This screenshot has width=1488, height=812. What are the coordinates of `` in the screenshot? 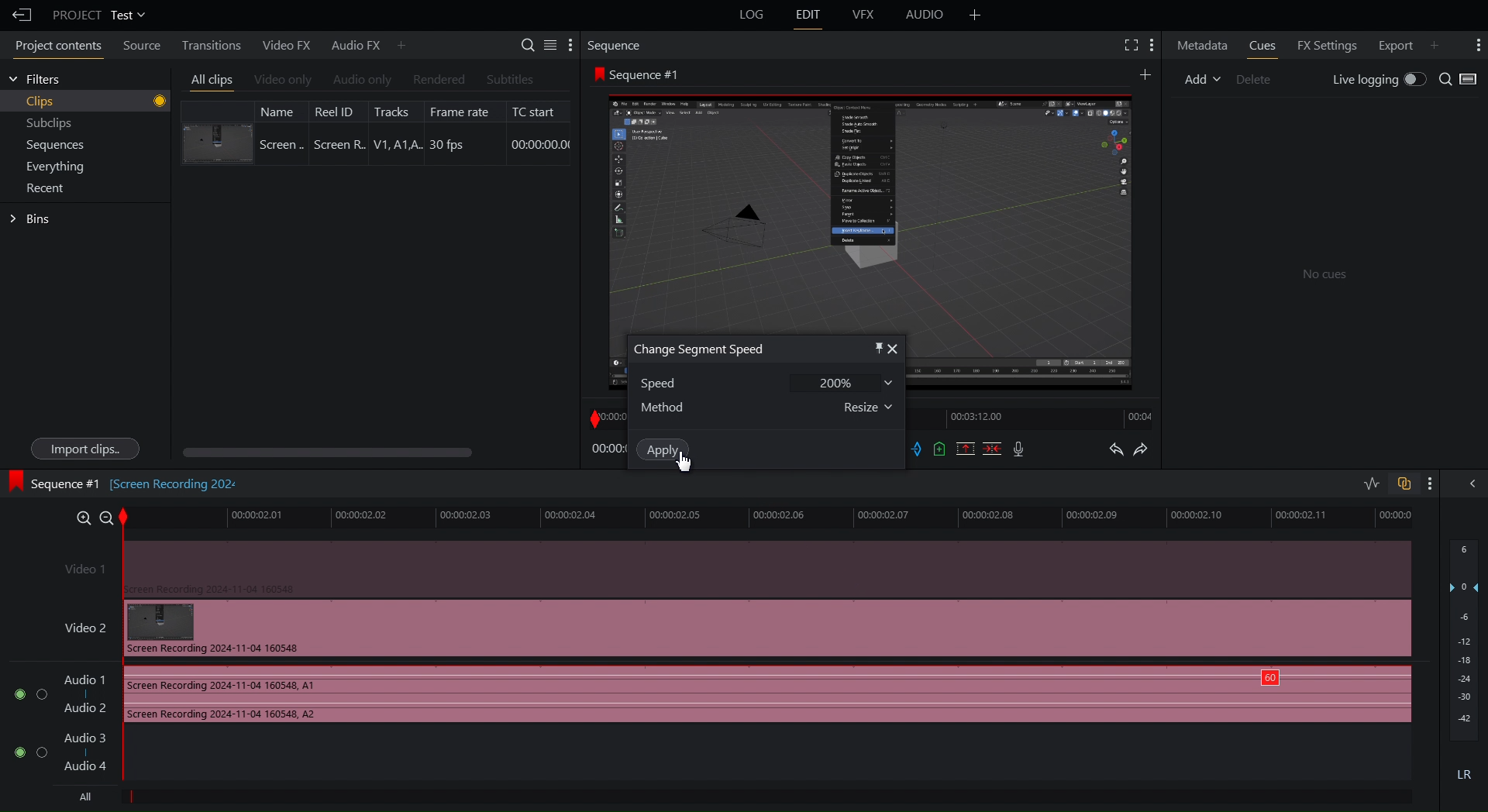 It's located at (60, 166).